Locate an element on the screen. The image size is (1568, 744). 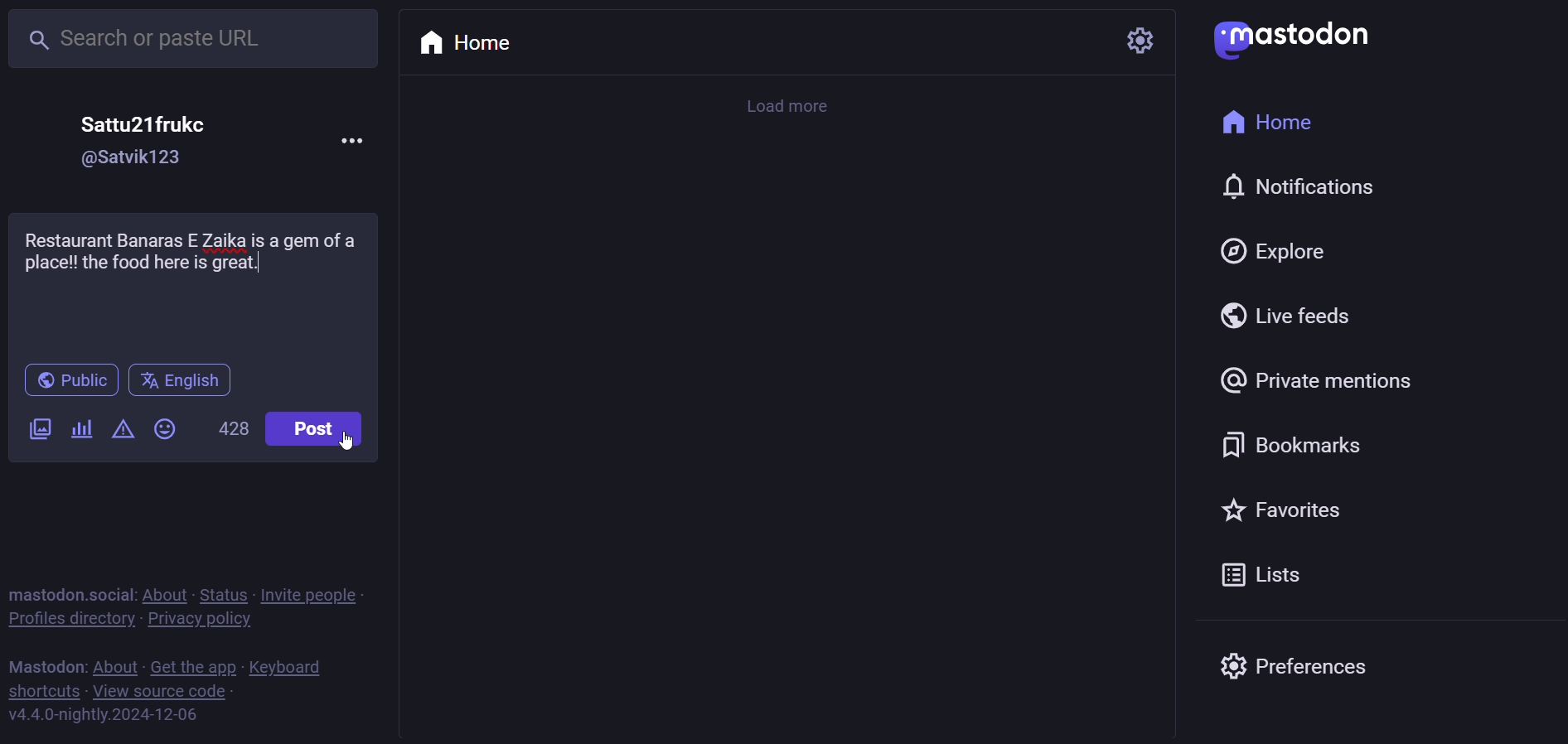
mastodon is located at coordinates (46, 665).